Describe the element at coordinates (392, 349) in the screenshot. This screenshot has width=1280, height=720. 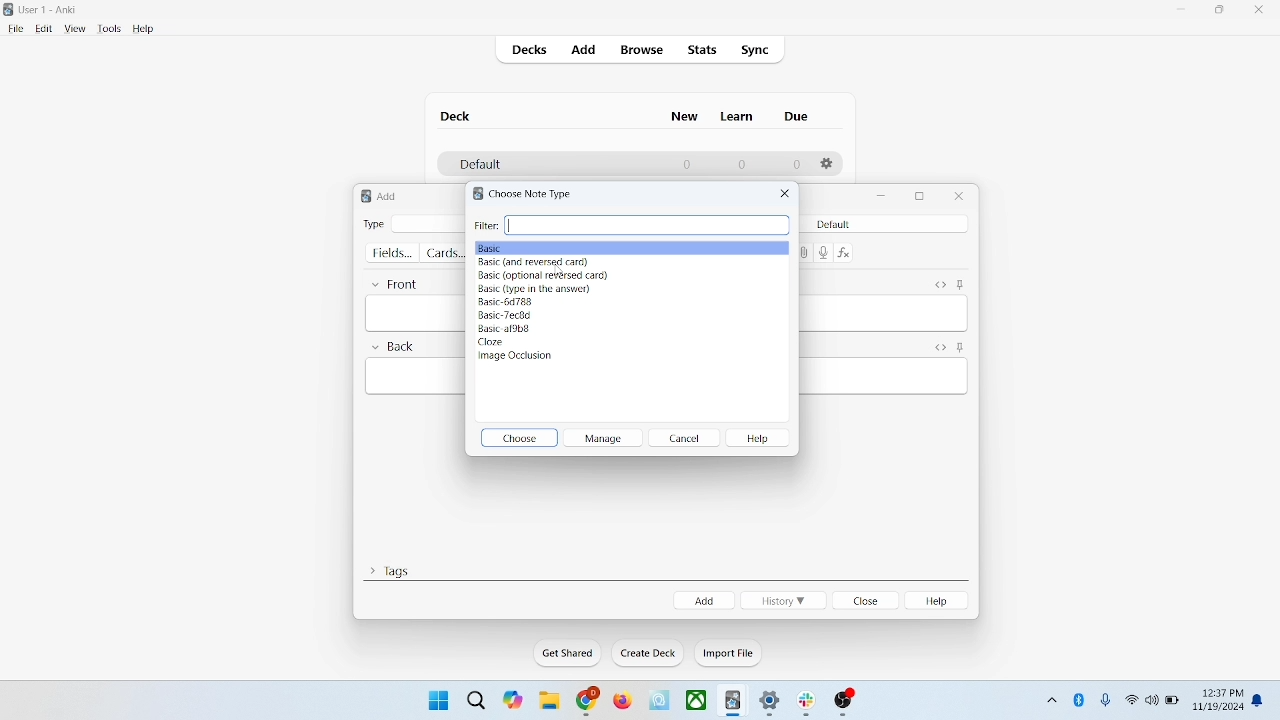
I see `back` at that location.